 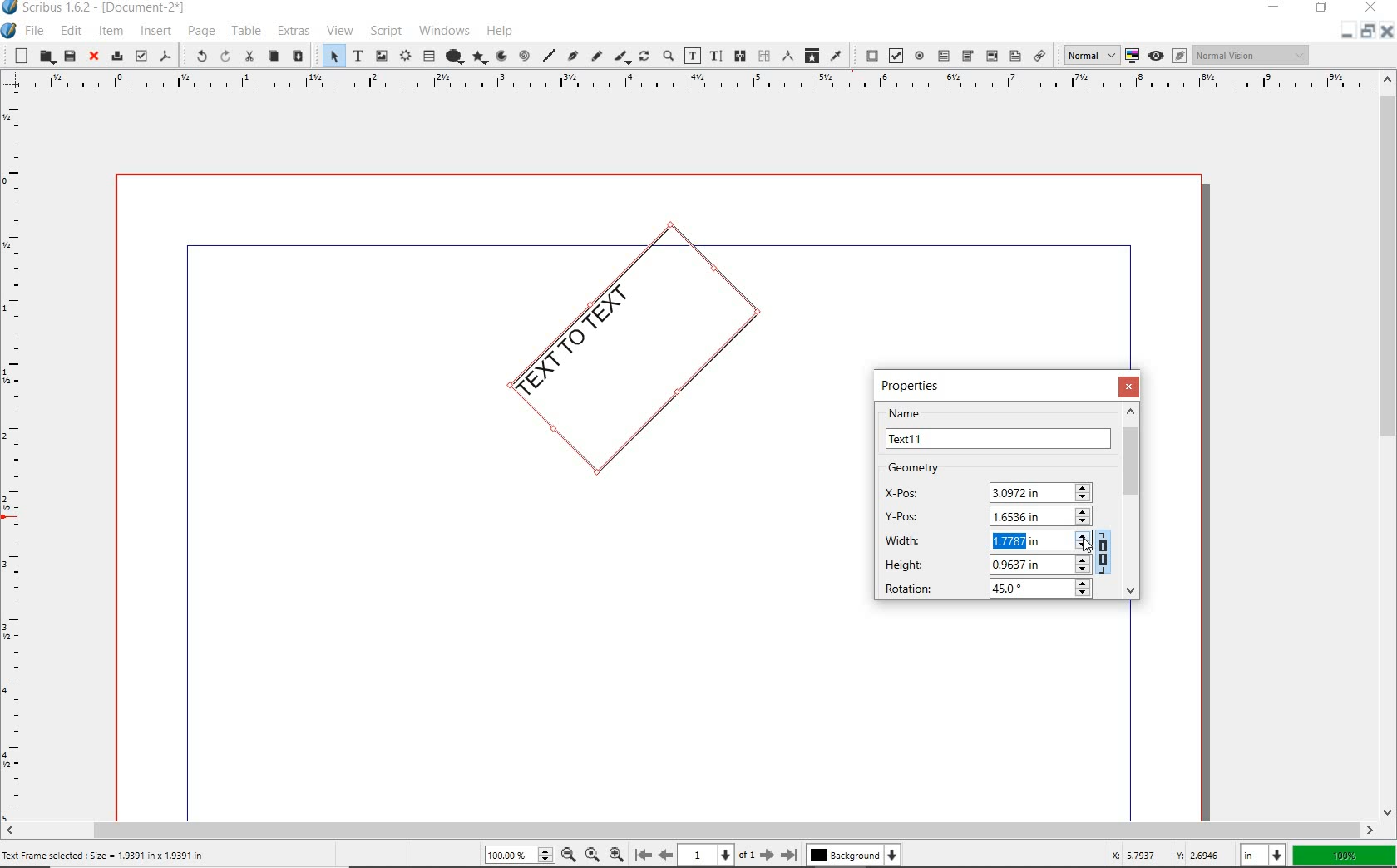 I want to click on pdf list box, so click(x=1014, y=57).